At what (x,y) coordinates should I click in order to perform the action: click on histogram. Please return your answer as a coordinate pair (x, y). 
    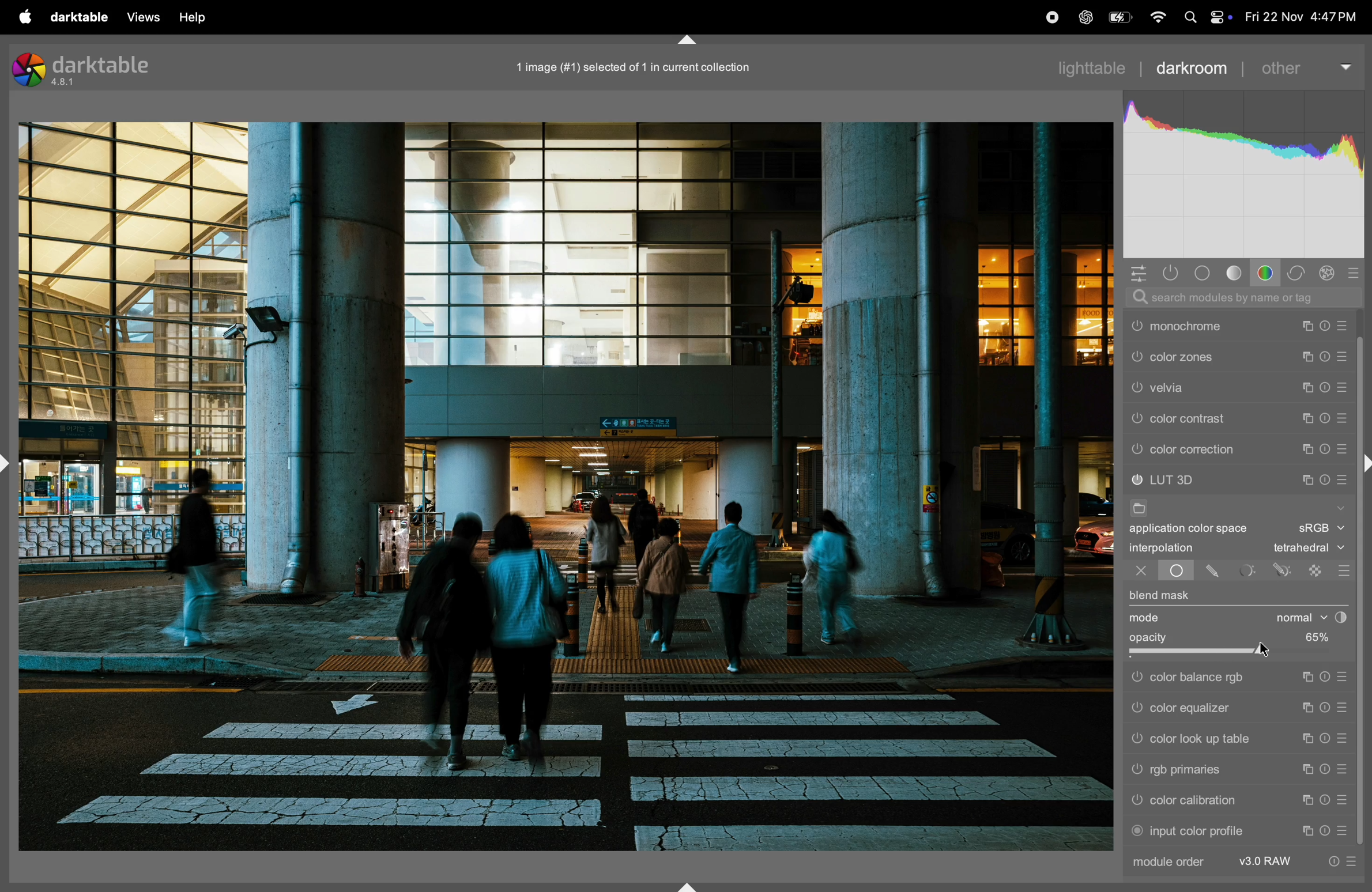
    Looking at the image, I should click on (1245, 171).